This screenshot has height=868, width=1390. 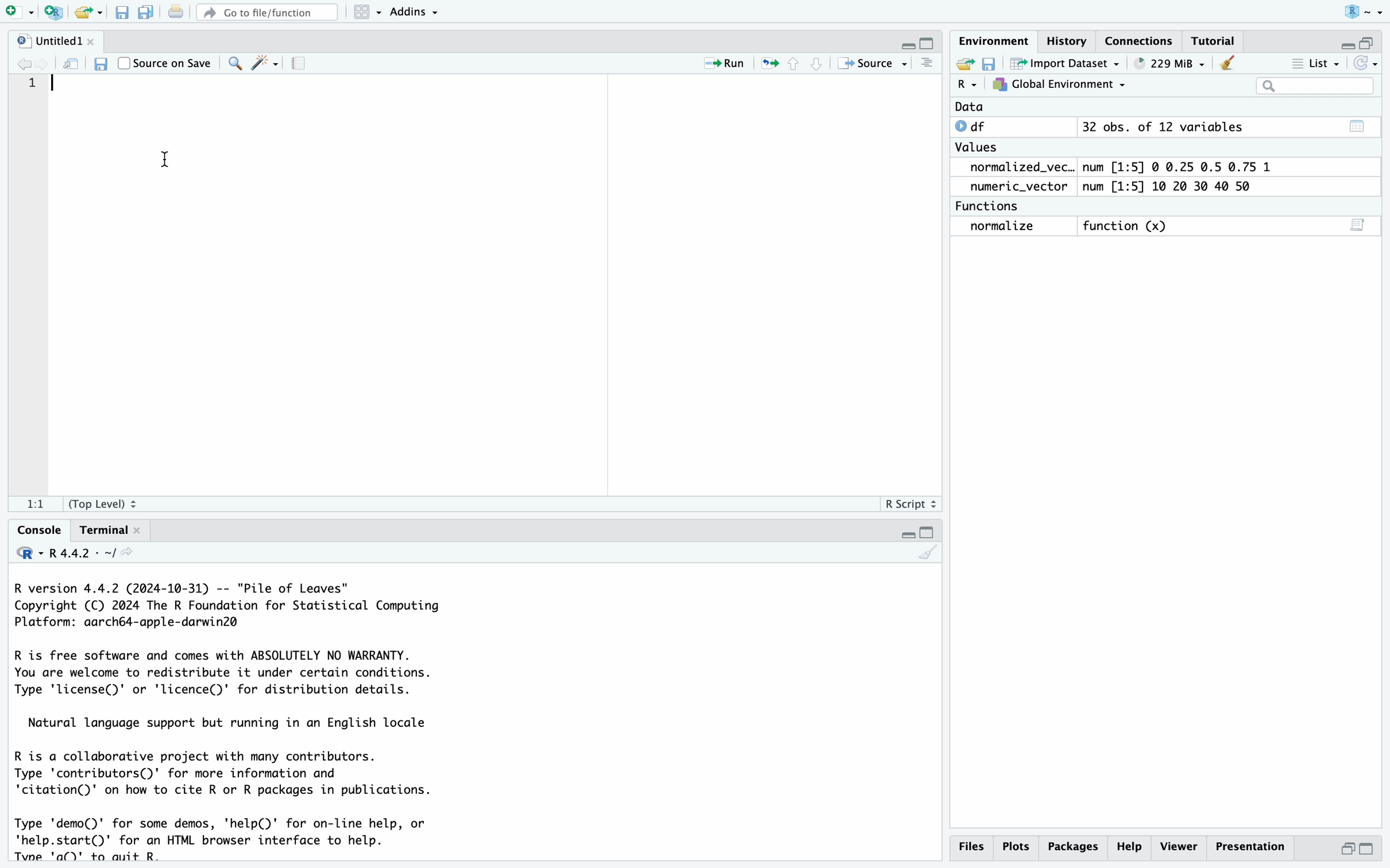 What do you see at coordinates (50, 63) in the screenshot?
I see `go forward` at bounding box center [50, 63].